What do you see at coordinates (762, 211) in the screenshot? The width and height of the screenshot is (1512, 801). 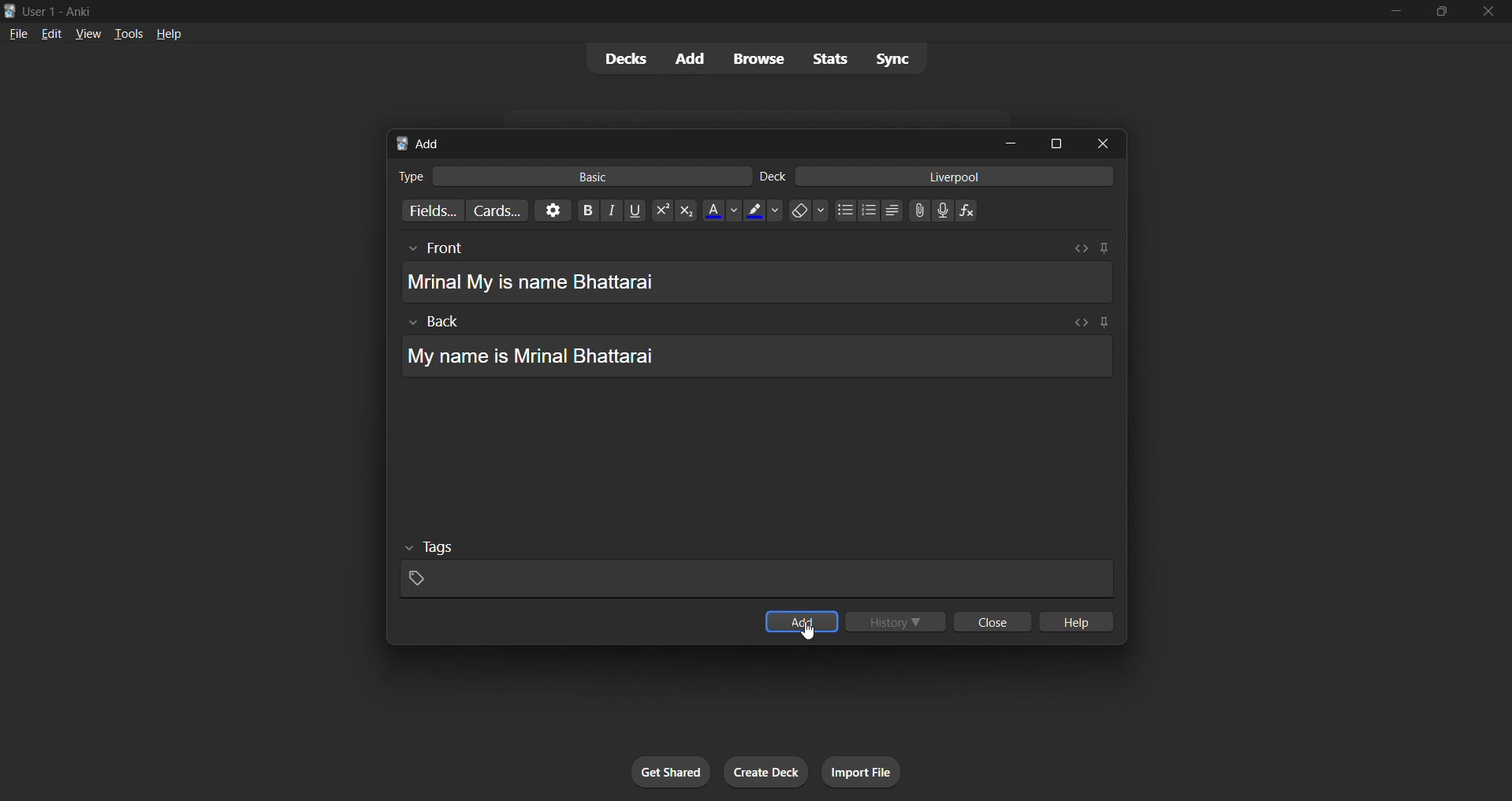 I see `text highlight` at bounding box center [762, 211].